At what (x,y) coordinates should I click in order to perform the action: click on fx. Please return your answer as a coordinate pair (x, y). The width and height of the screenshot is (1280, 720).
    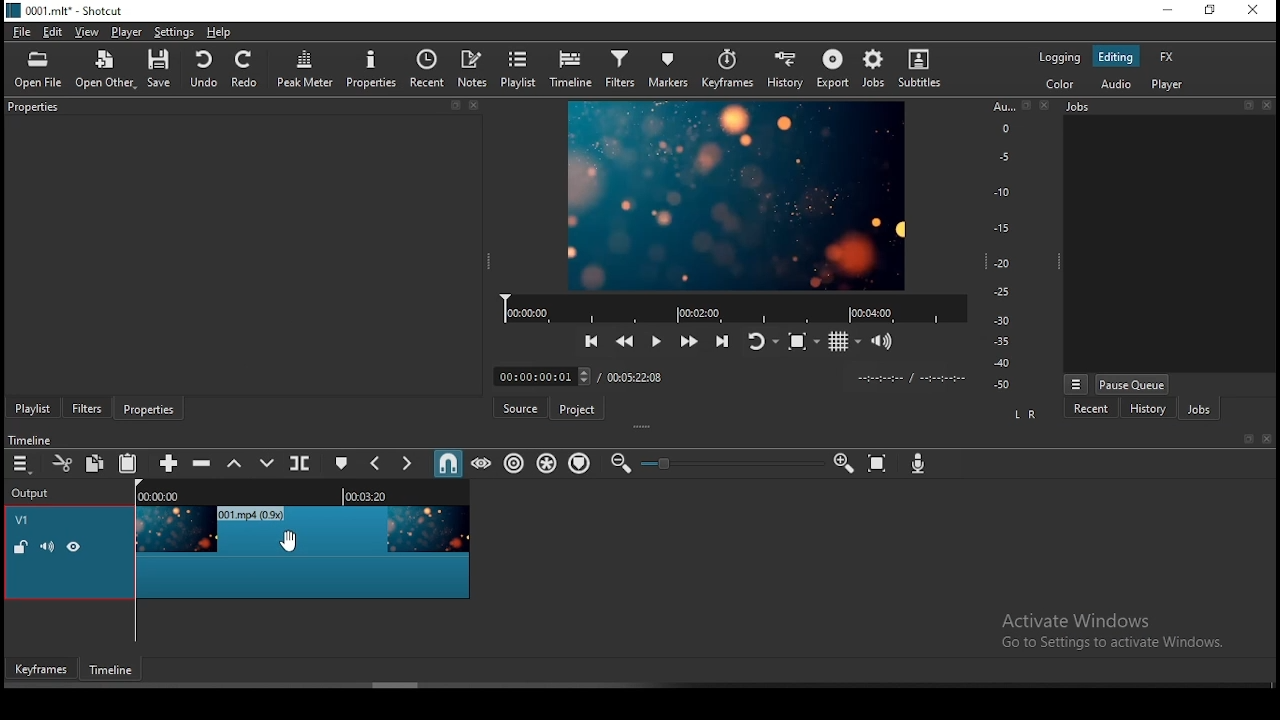
    Looking at the image, I should click on (1167, 58).